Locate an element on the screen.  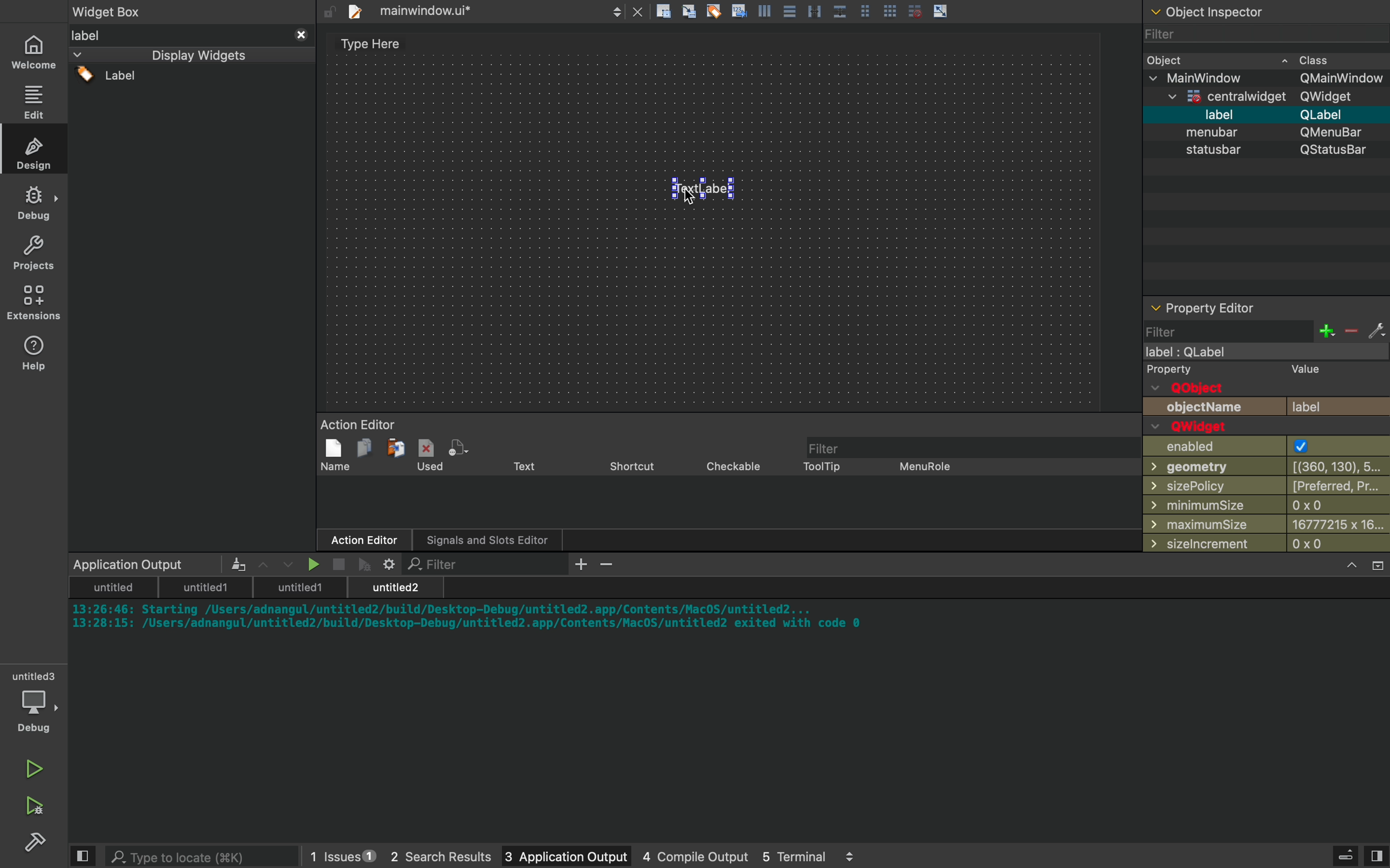
home is located at coordinates (36, 52).